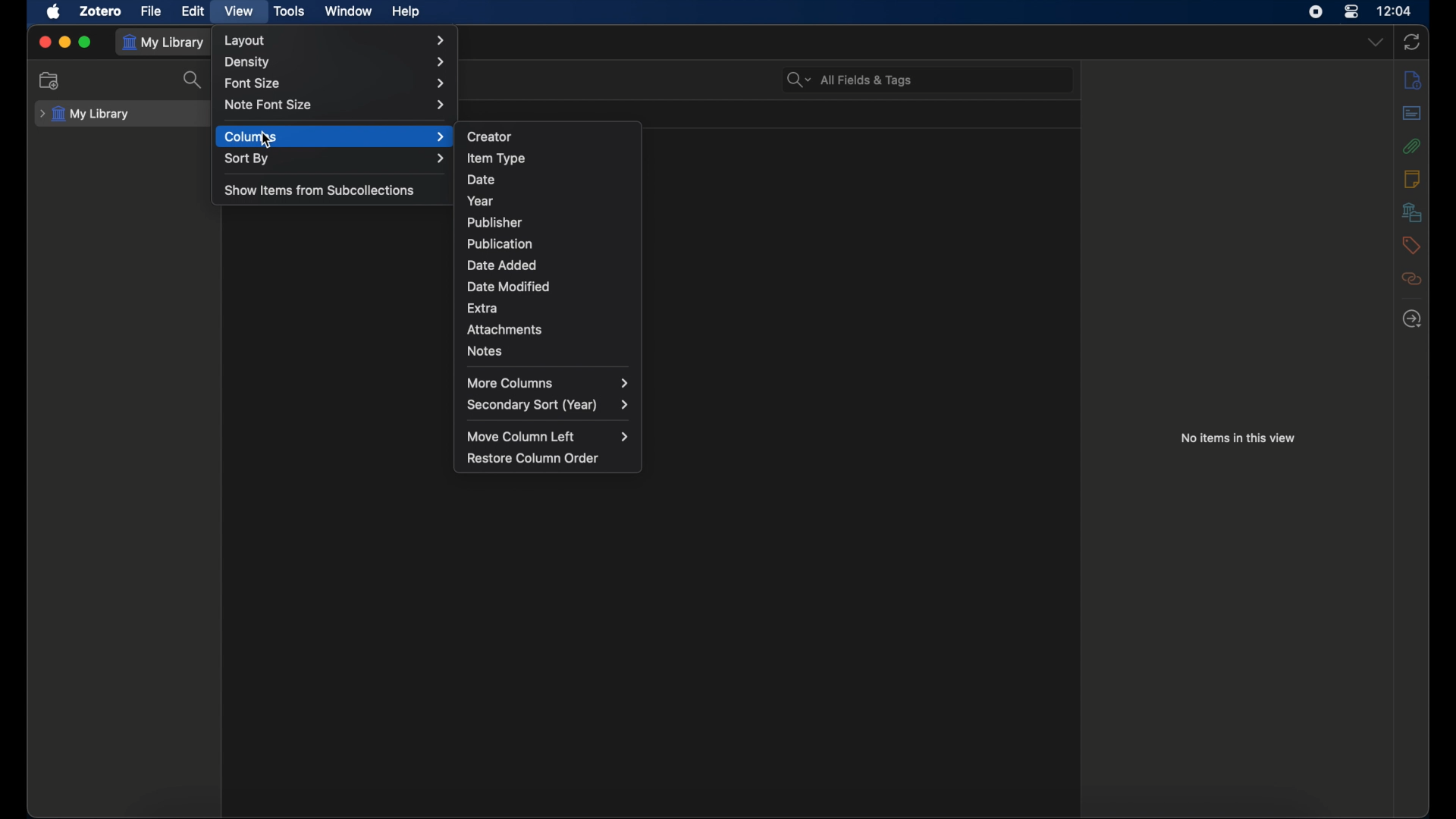  Describe the element at coordinates (195, 80) in the screenshot. I see `search ` at that location.